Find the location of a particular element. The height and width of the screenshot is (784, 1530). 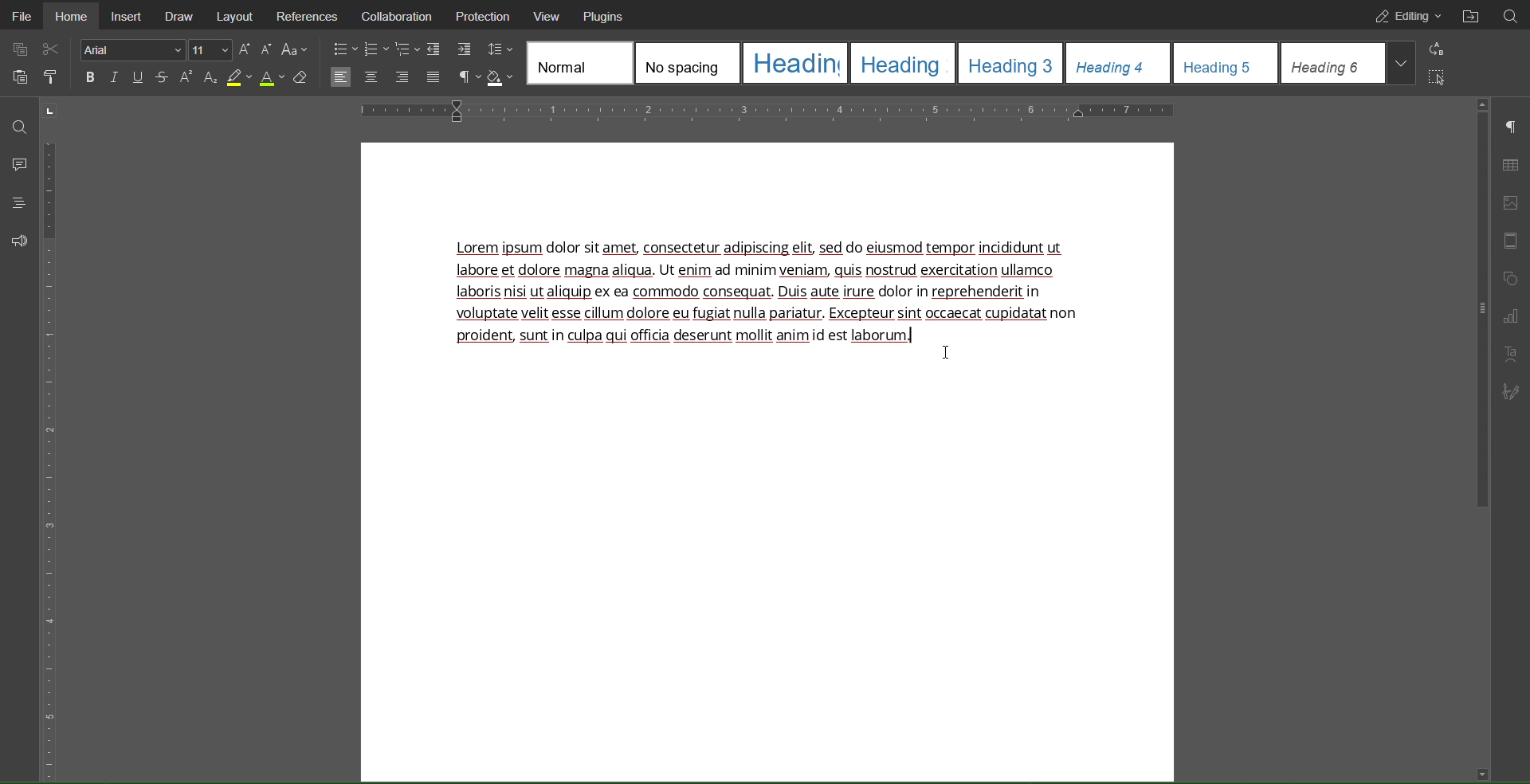

Paragraph Settings is located at coordinates (1512, 126).